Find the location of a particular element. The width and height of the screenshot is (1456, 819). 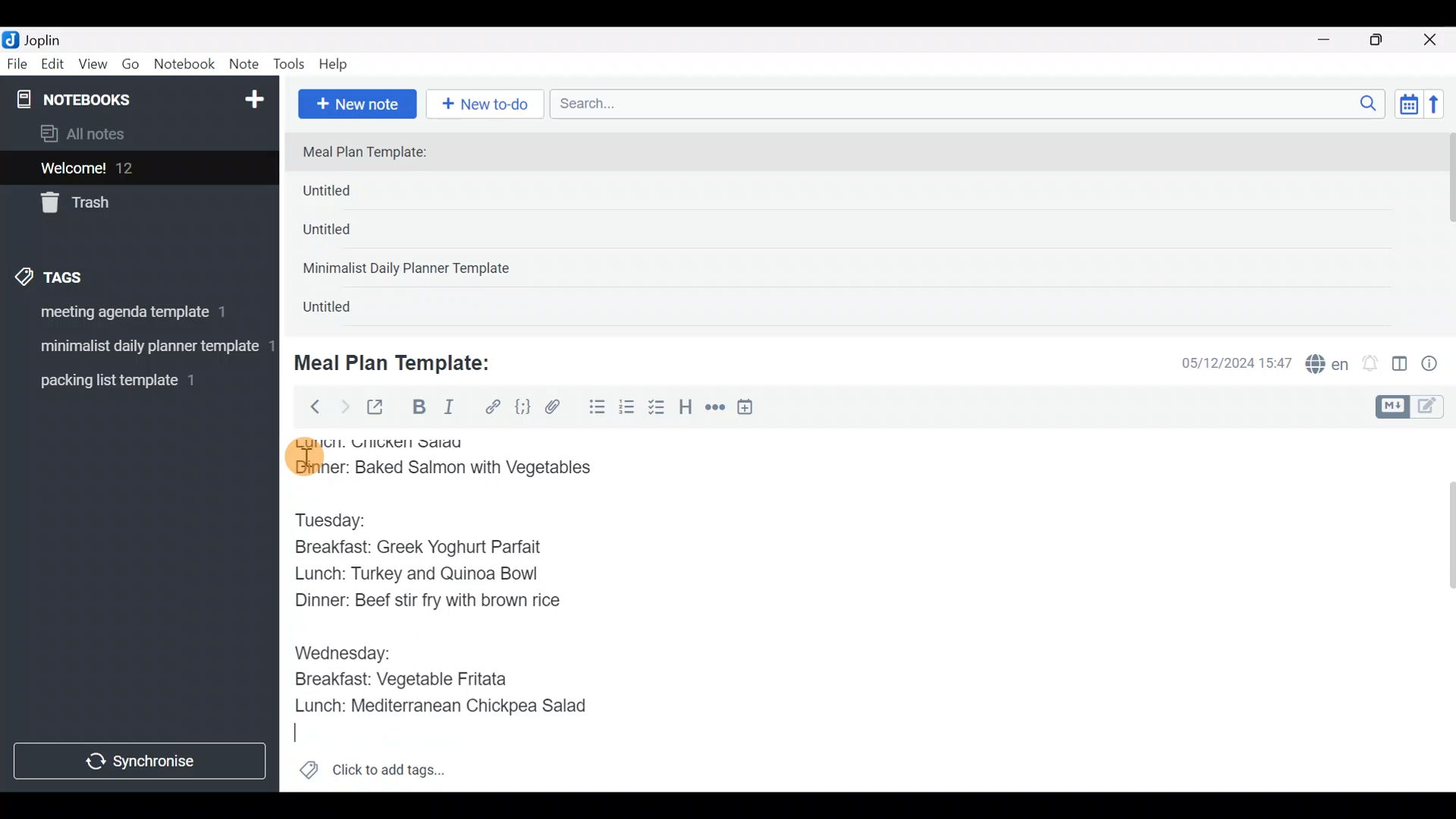

Date & time is located at coordinates (1225, 362).